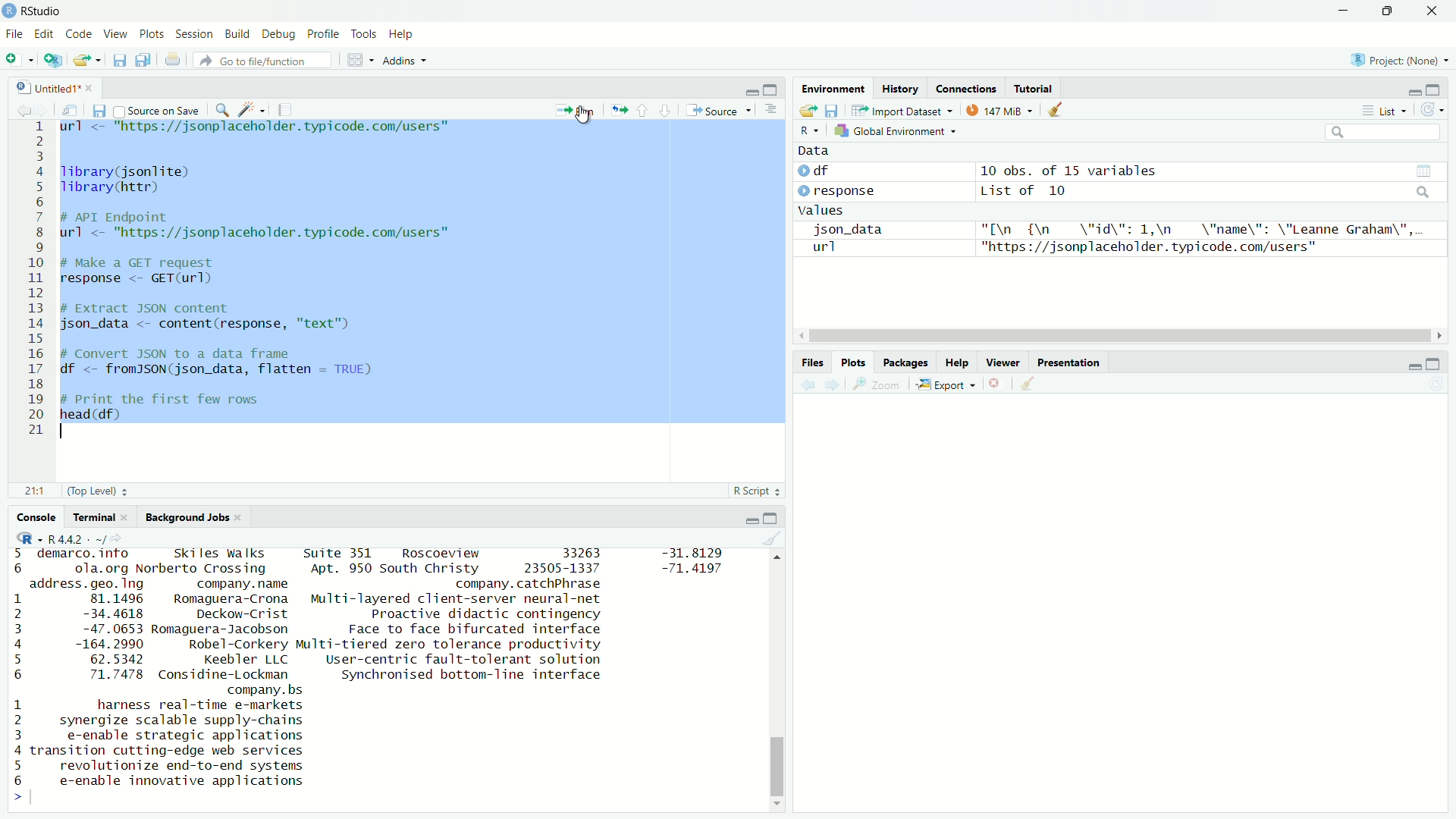 The width and height of the screenshot is (1456, 819). What do you see at coordinates (15, 33) in the screenshot?
I see `File` at bounding box center [15, 33].